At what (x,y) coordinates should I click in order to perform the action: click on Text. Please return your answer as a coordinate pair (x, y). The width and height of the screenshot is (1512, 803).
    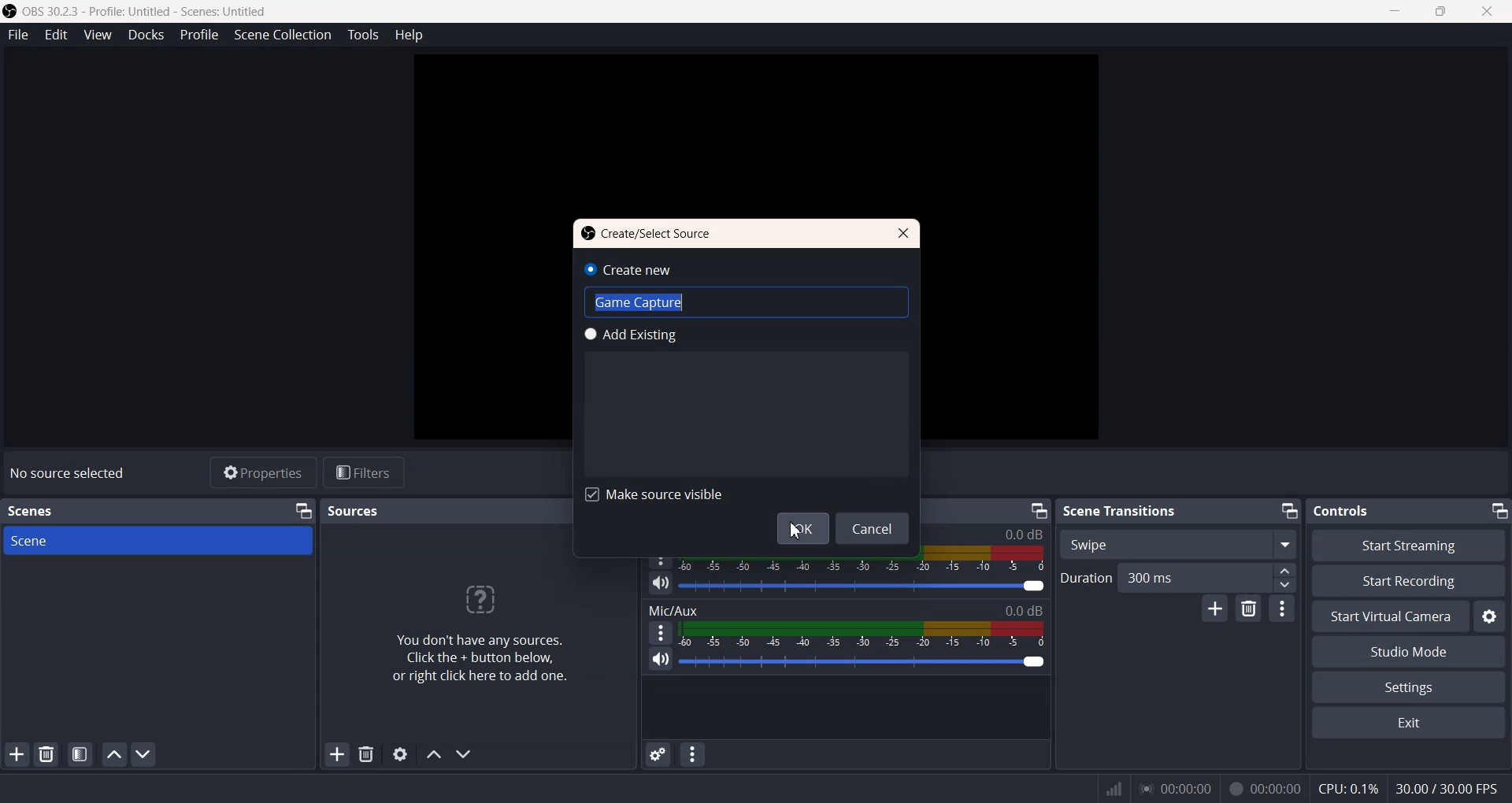
    Looking at the image, I should click on (1299, 788).